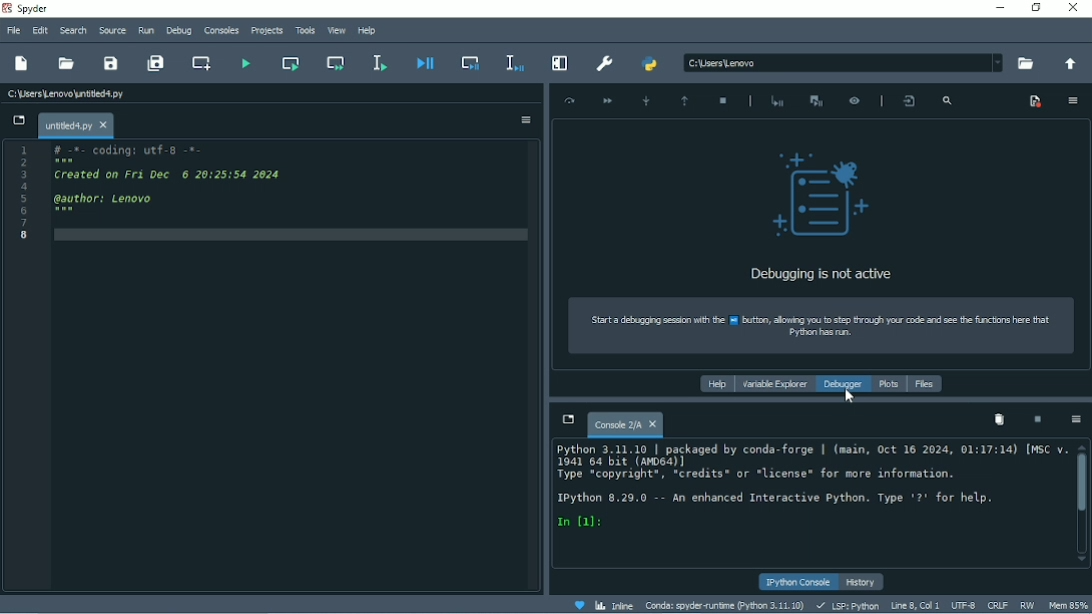 The height and width of the screenshot is (614, 1092). I want to click on Search frames, so click(946, 100).